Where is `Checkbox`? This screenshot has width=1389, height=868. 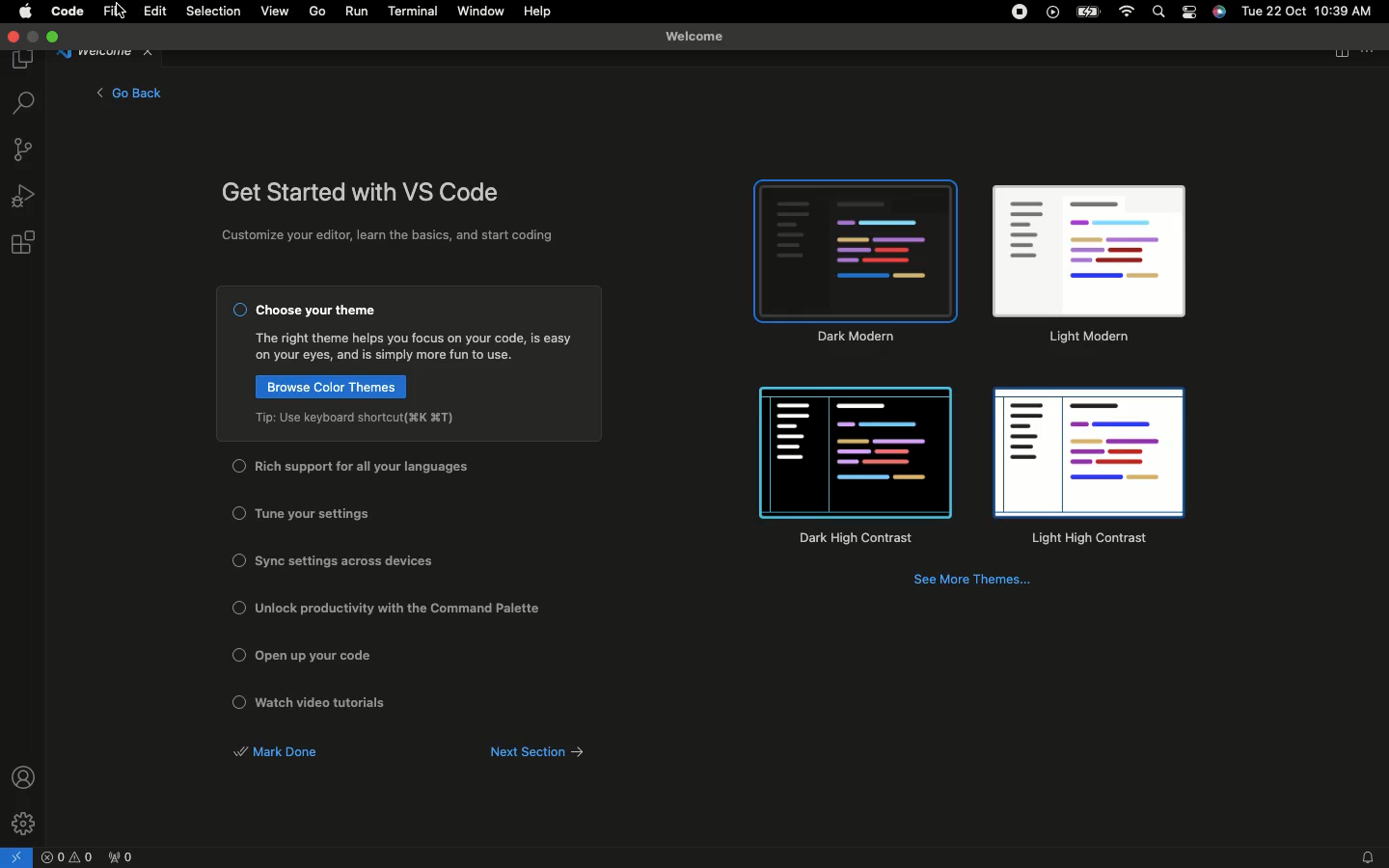
Checkbox is located at coordinates (235, 559).